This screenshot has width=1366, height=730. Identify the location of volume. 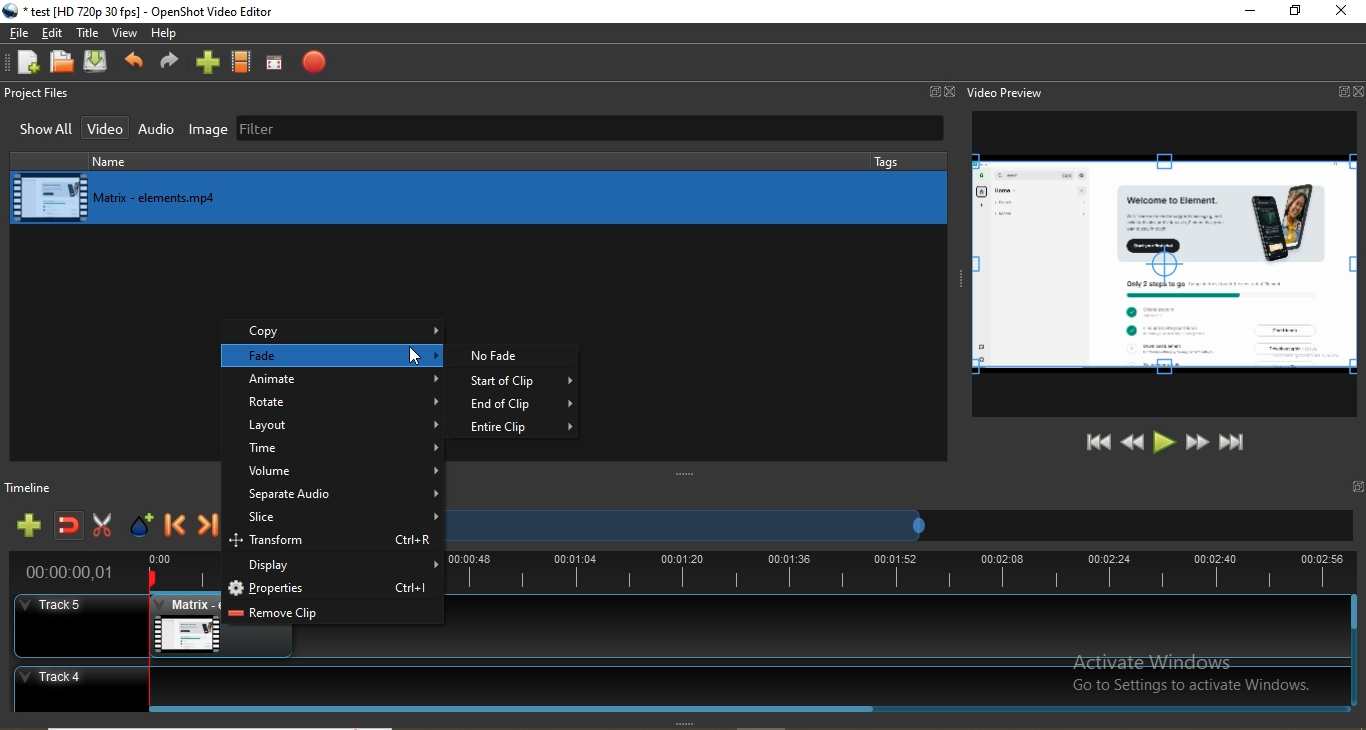
(335, 472).